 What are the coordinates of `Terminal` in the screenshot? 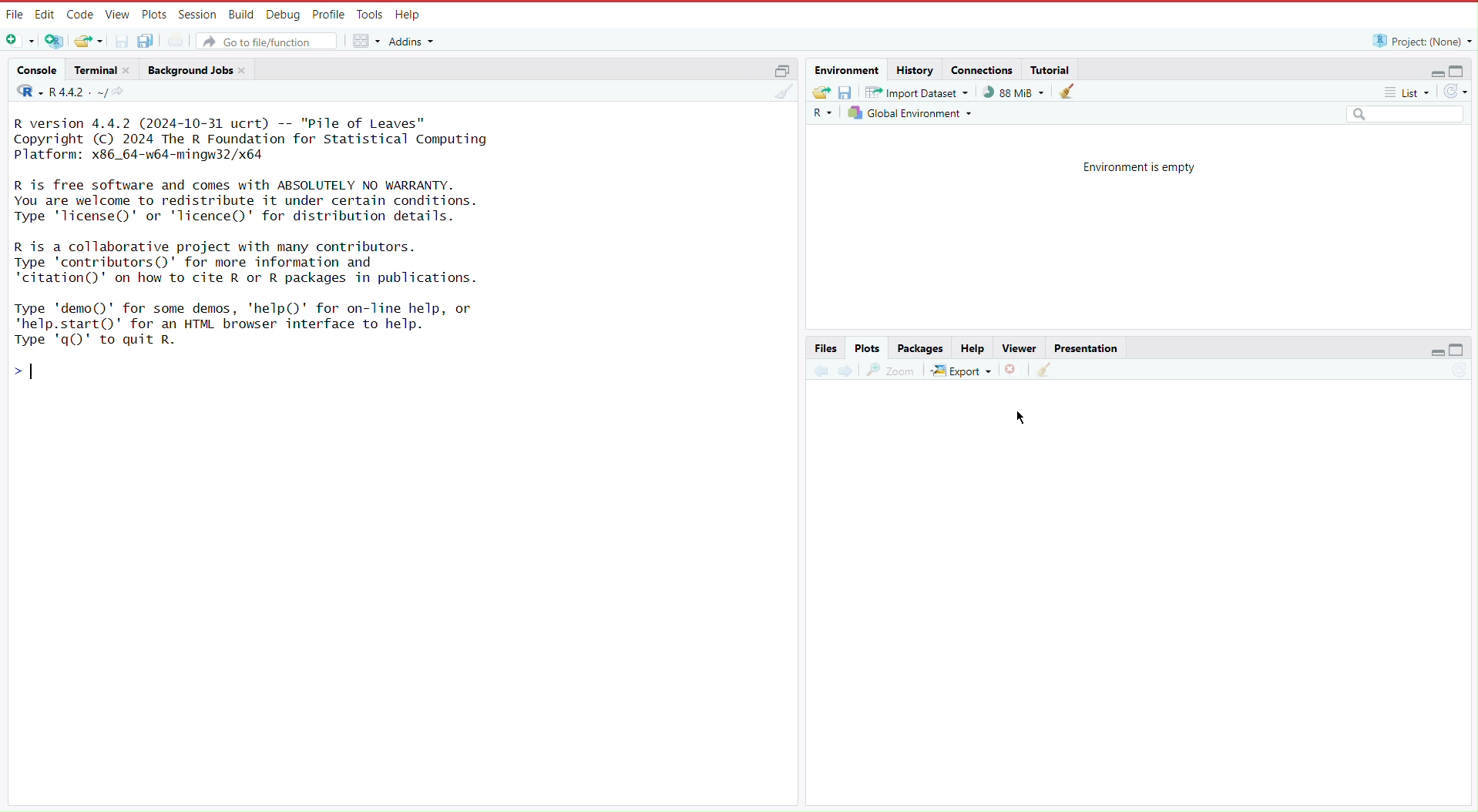 It's located at (102, 70).